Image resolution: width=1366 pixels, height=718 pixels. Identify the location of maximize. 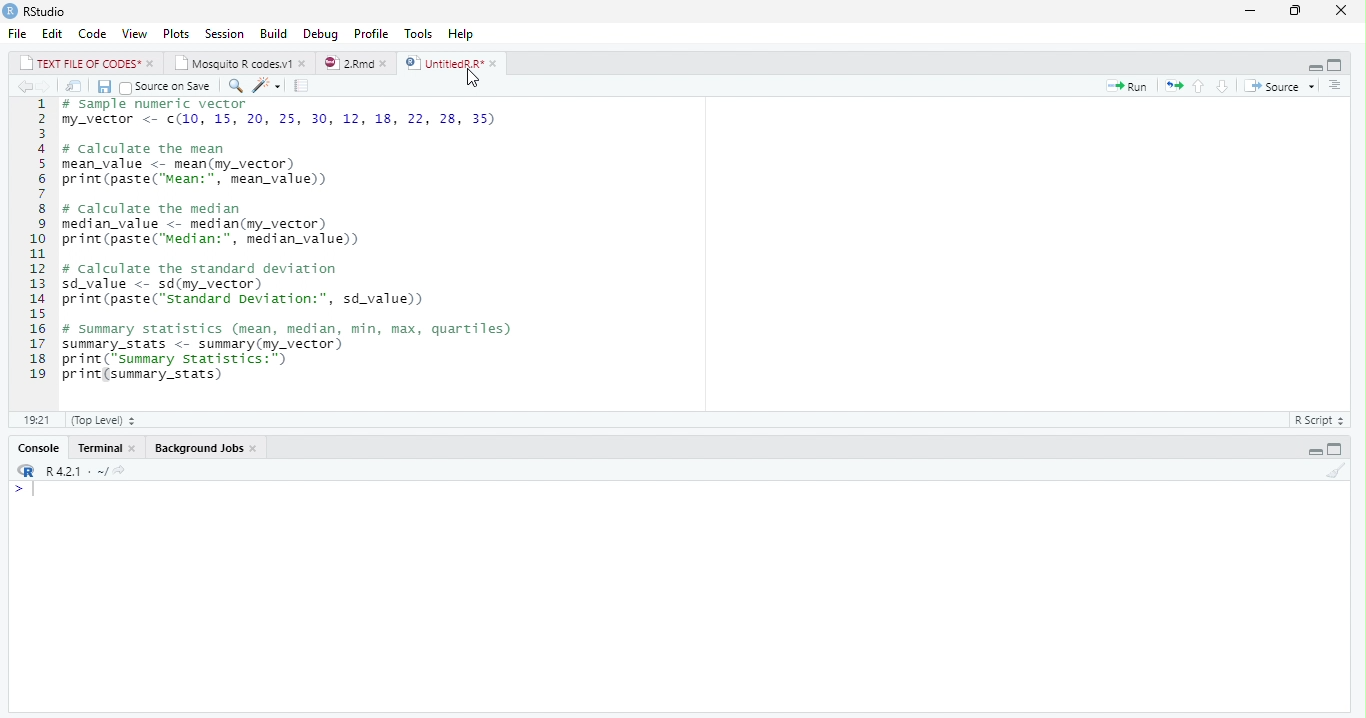
(1335, 66).